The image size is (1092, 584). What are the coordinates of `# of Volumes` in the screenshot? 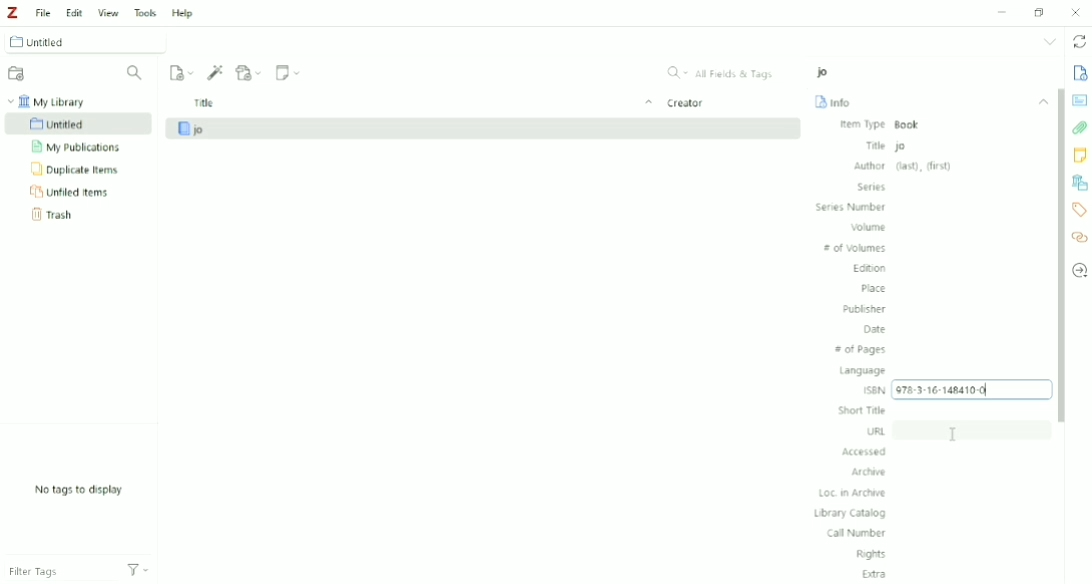 It's located at (856, 248).